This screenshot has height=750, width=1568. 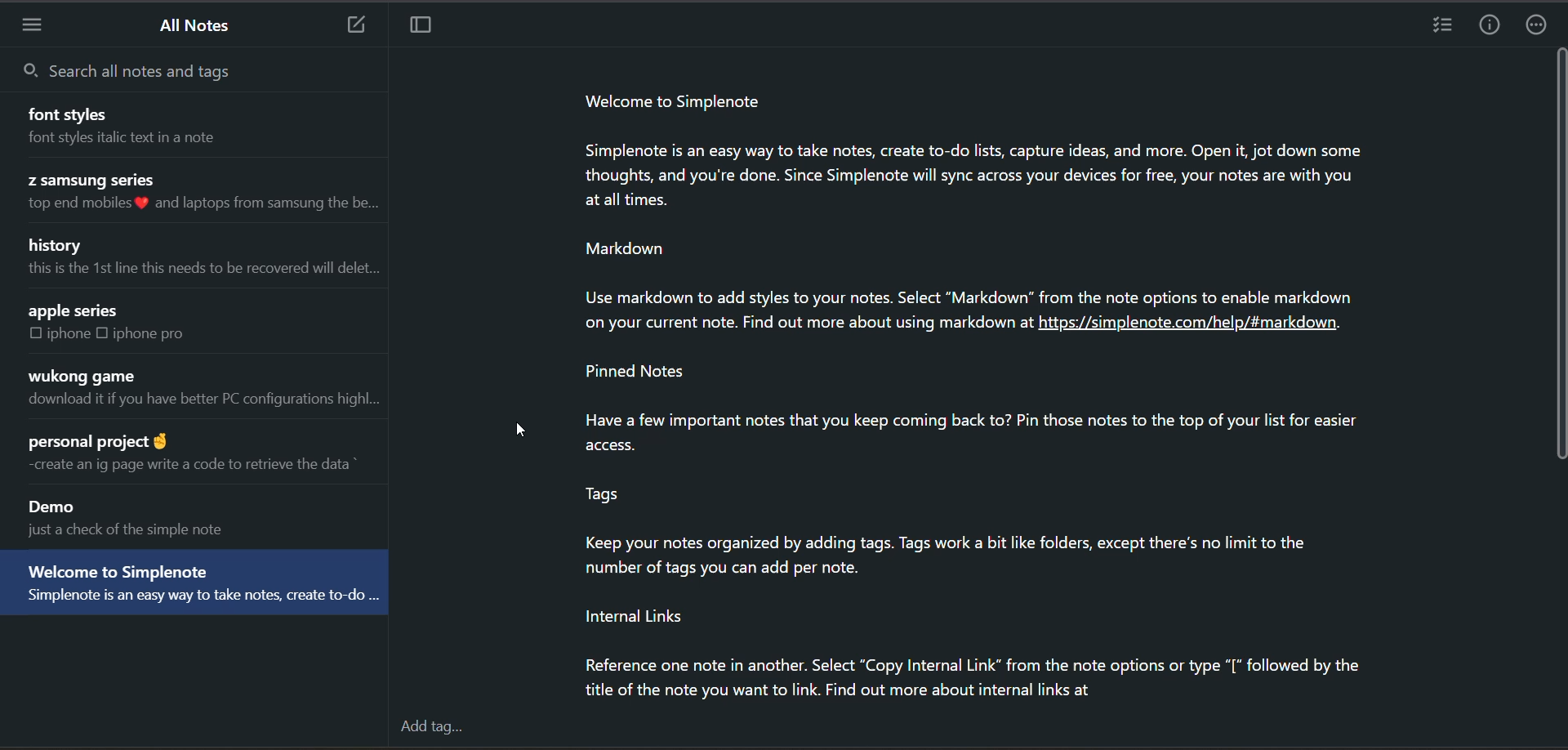 What do you see at coordinates (92, 180) in the screenshot?
I see `Z samsung series` at bounding box center [92, 180].